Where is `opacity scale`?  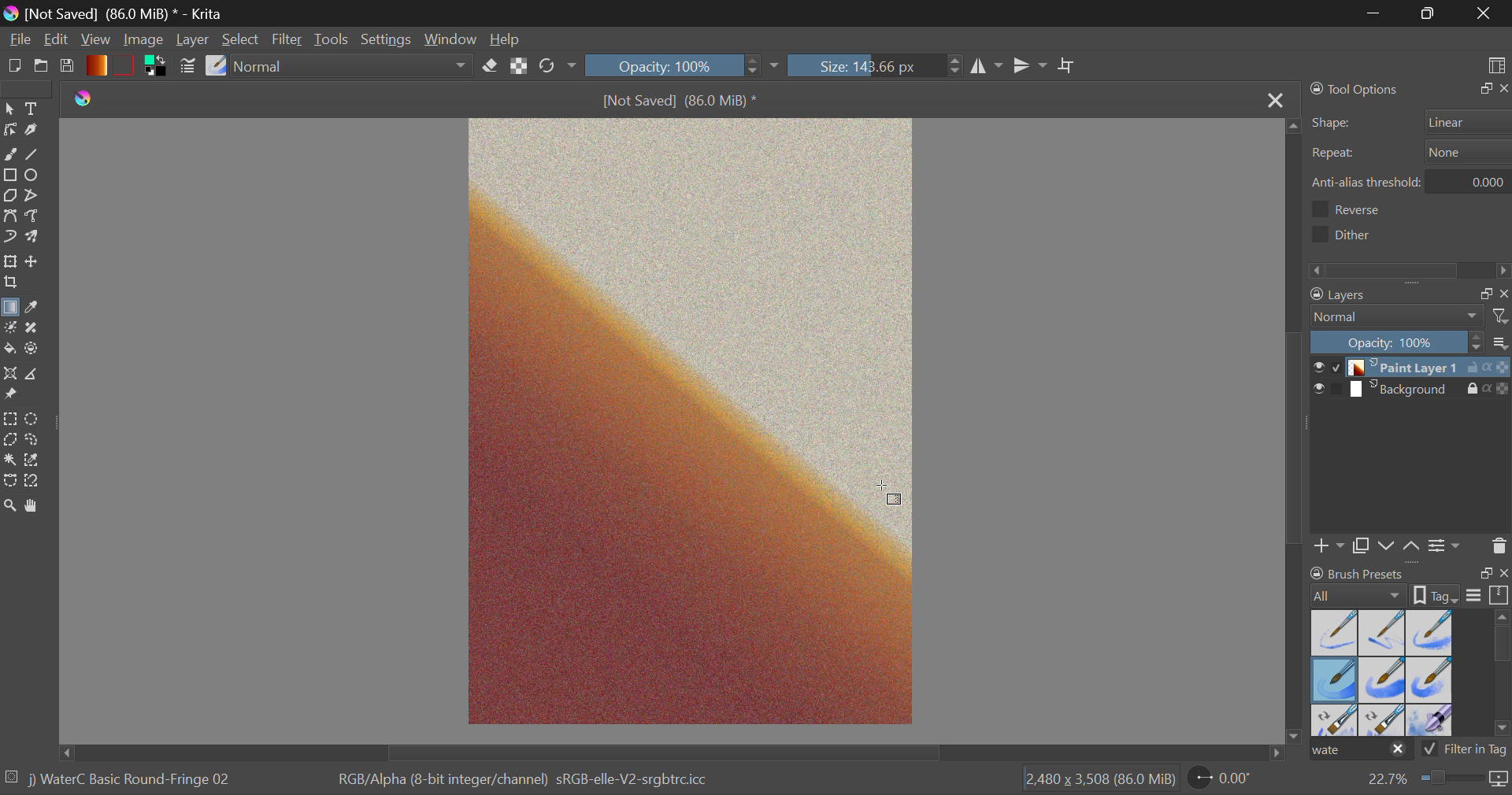 opacity scale is located at coordinates (1397, 342).